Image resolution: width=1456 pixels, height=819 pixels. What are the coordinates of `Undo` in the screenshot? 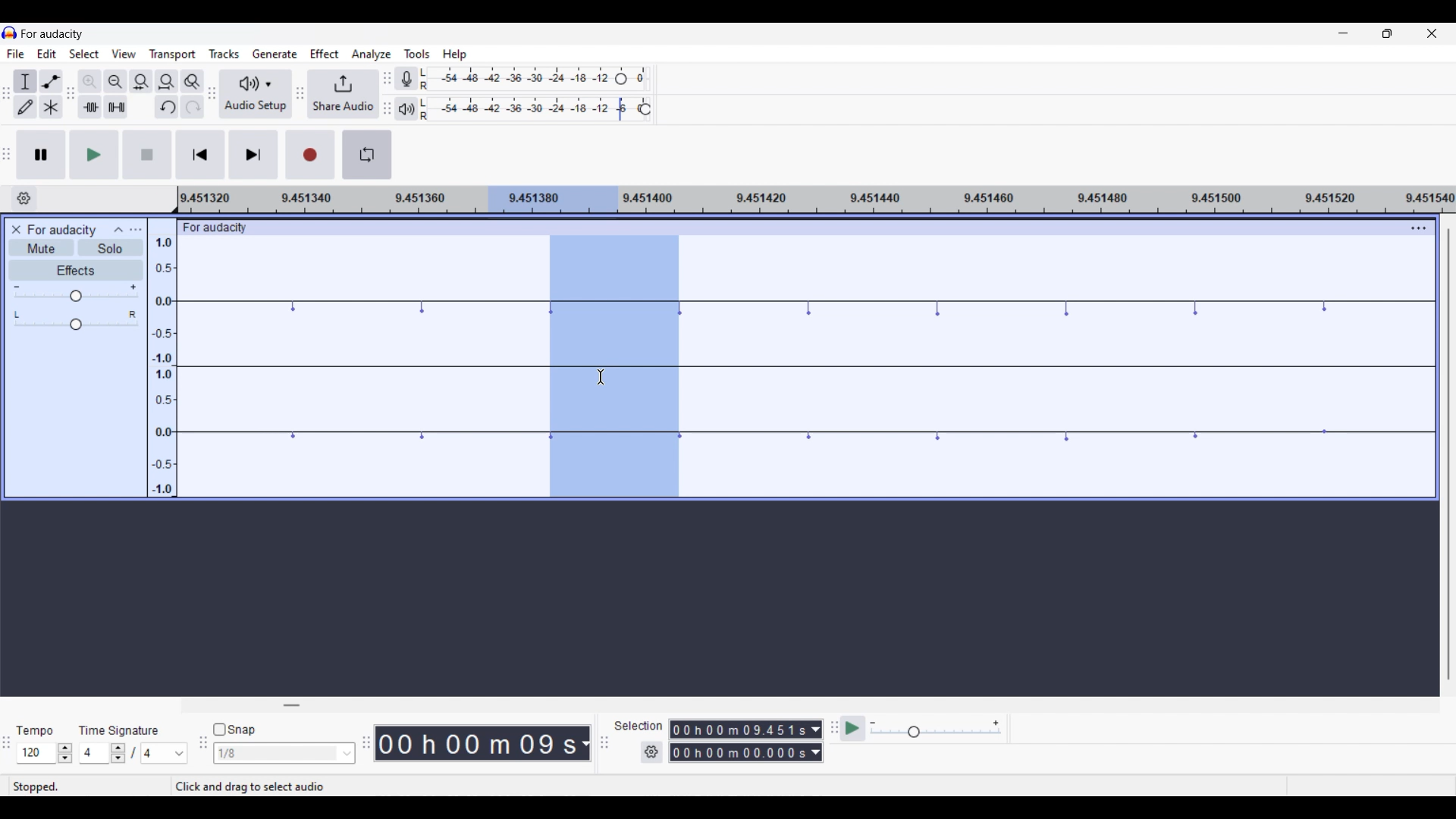 It's located at (167, 106).